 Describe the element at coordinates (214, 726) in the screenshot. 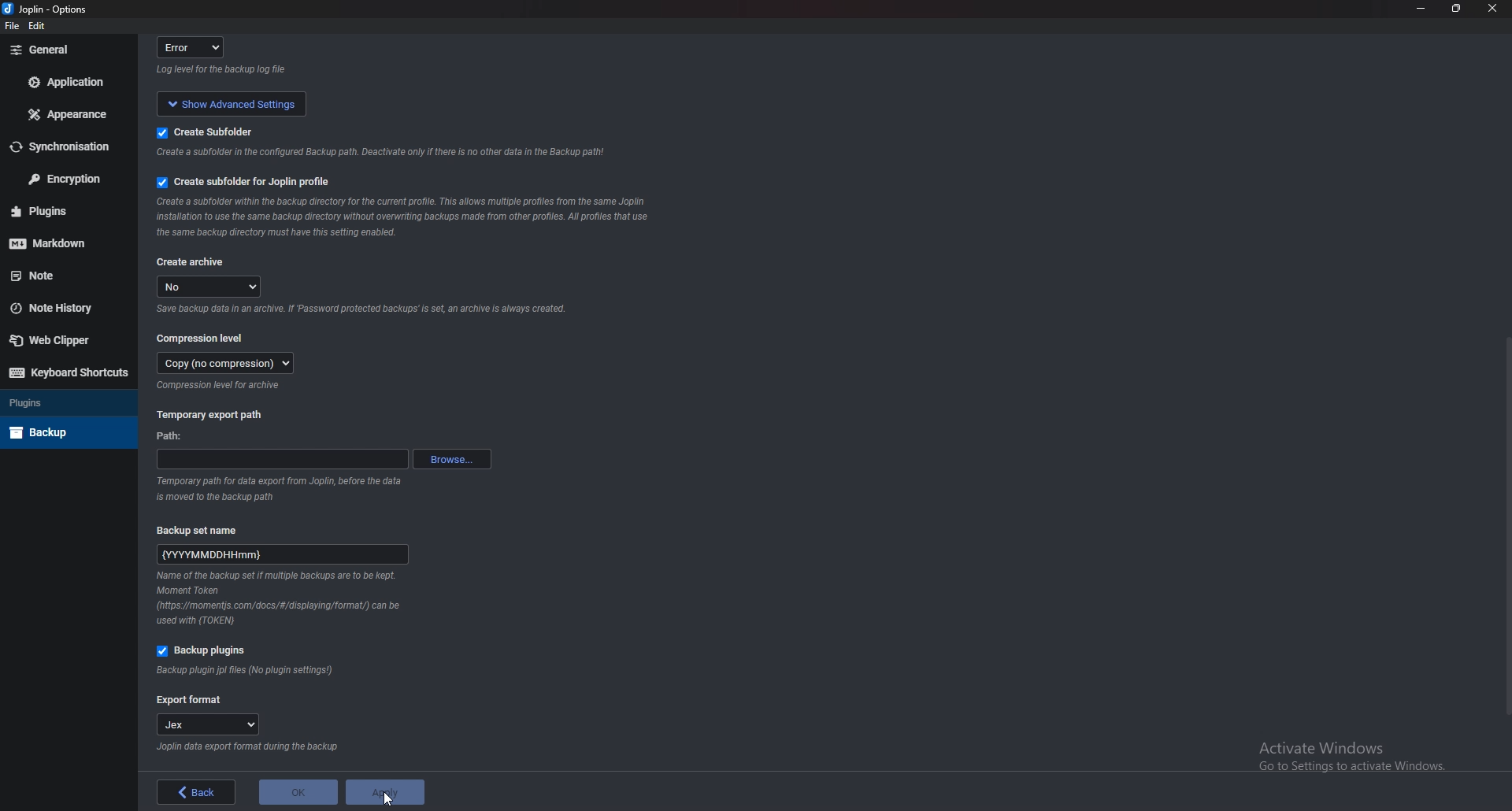

I see `jex` at that location.